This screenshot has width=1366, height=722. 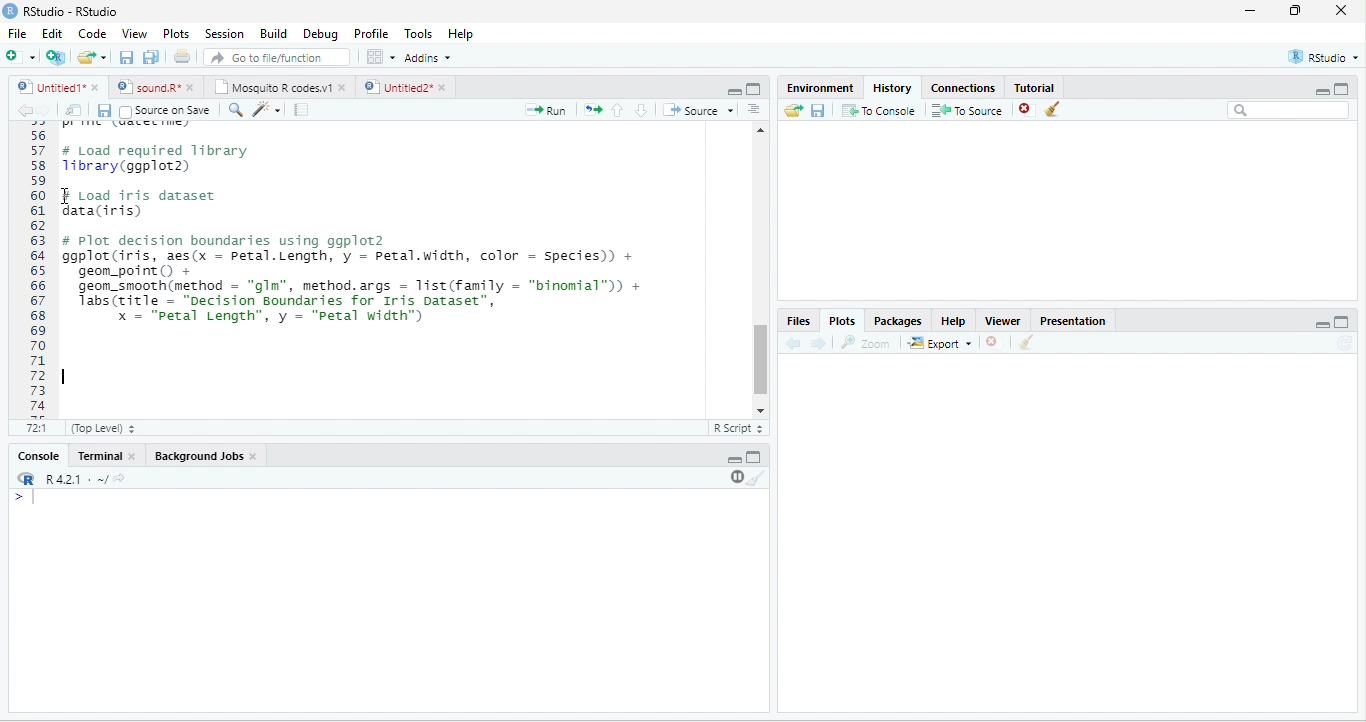 I want to click on Tools, so click(x=420, y=34).